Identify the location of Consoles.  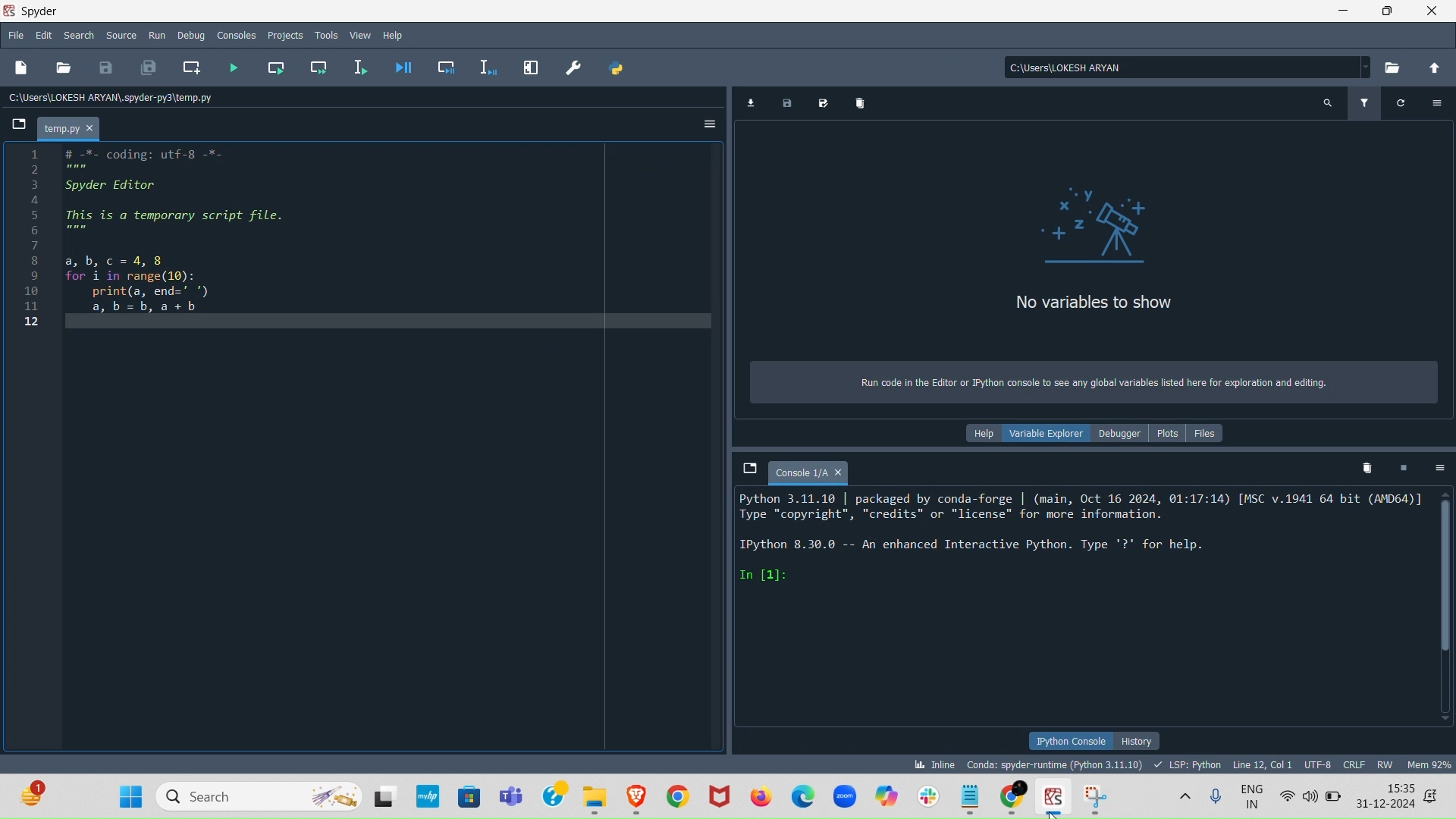
(236, 36).